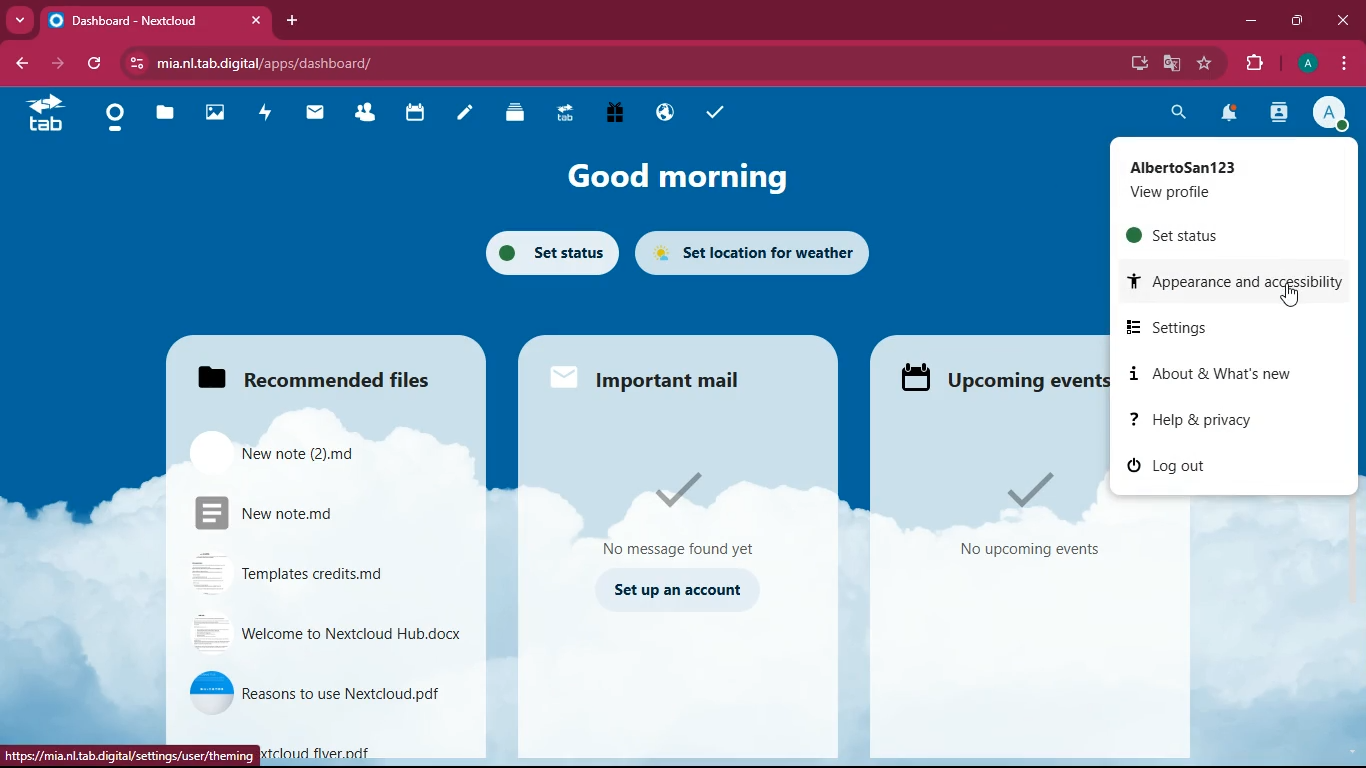 The width and height of the screenshot is (1366, 768). I want to click on log out, so click(1170, 467).